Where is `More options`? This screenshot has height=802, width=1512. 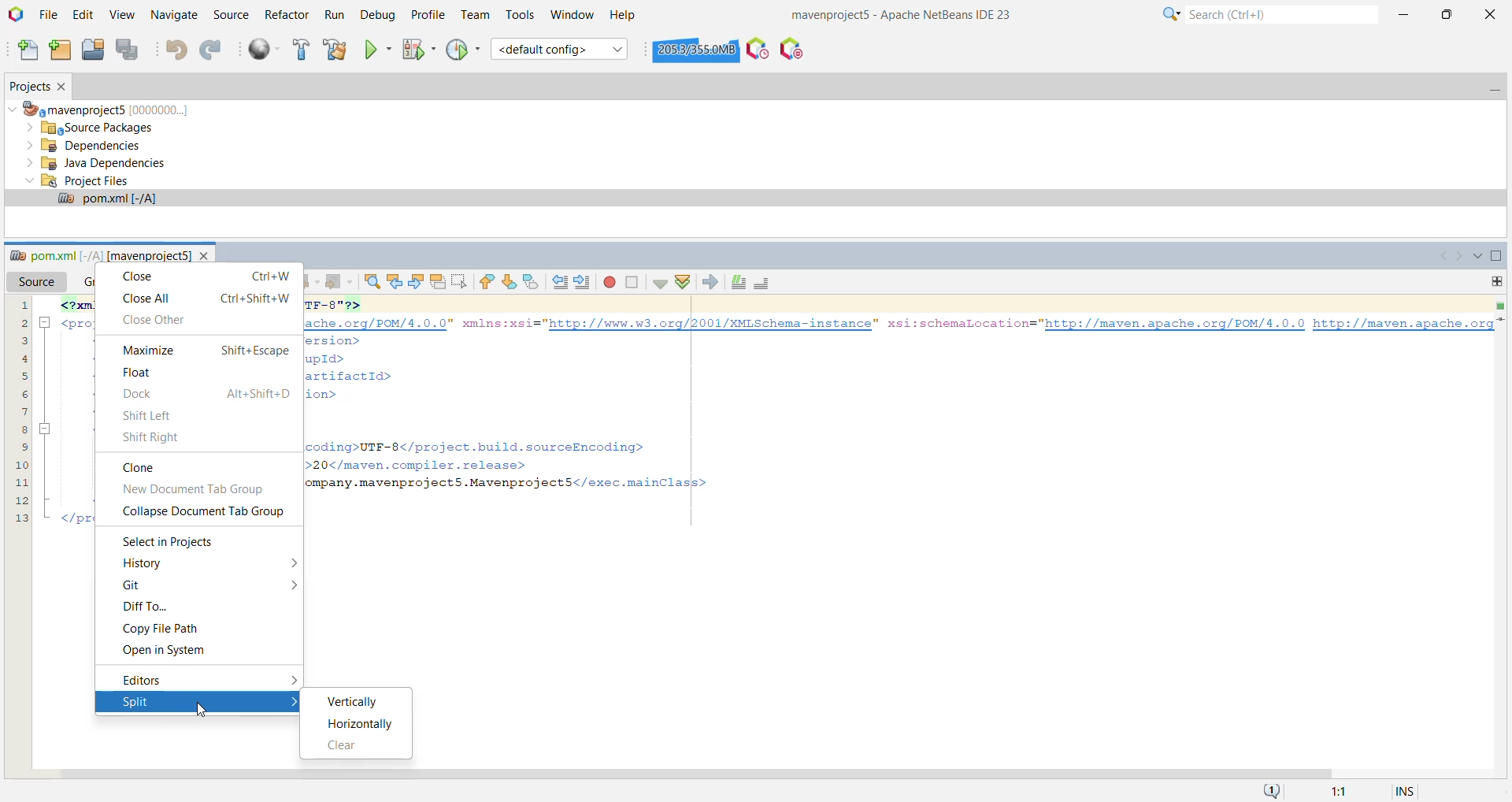
More options is located at coordinates (293, 679).